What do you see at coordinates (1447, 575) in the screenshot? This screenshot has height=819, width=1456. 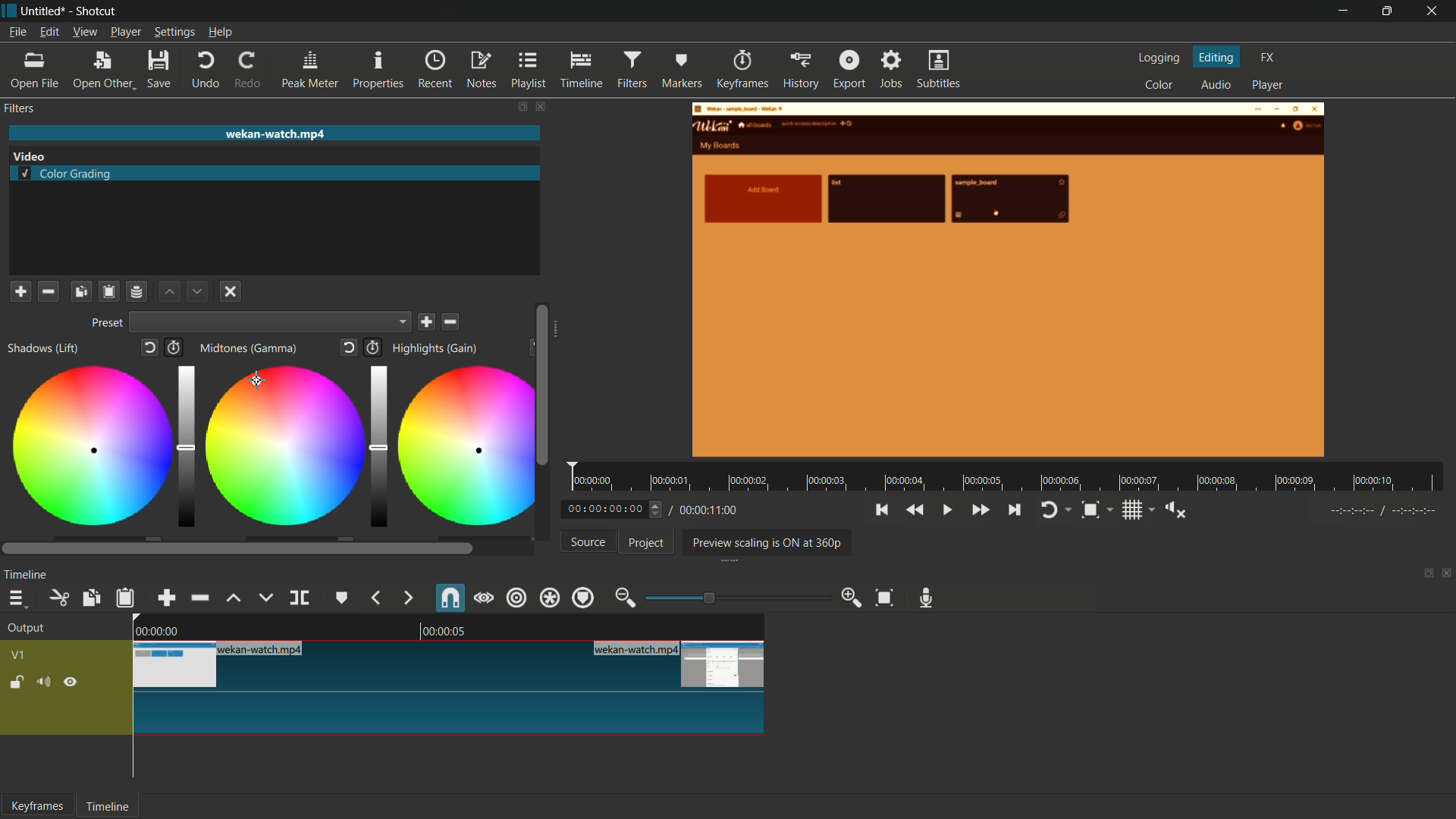 I see `close timeline` at bounding box center [1447, 575].